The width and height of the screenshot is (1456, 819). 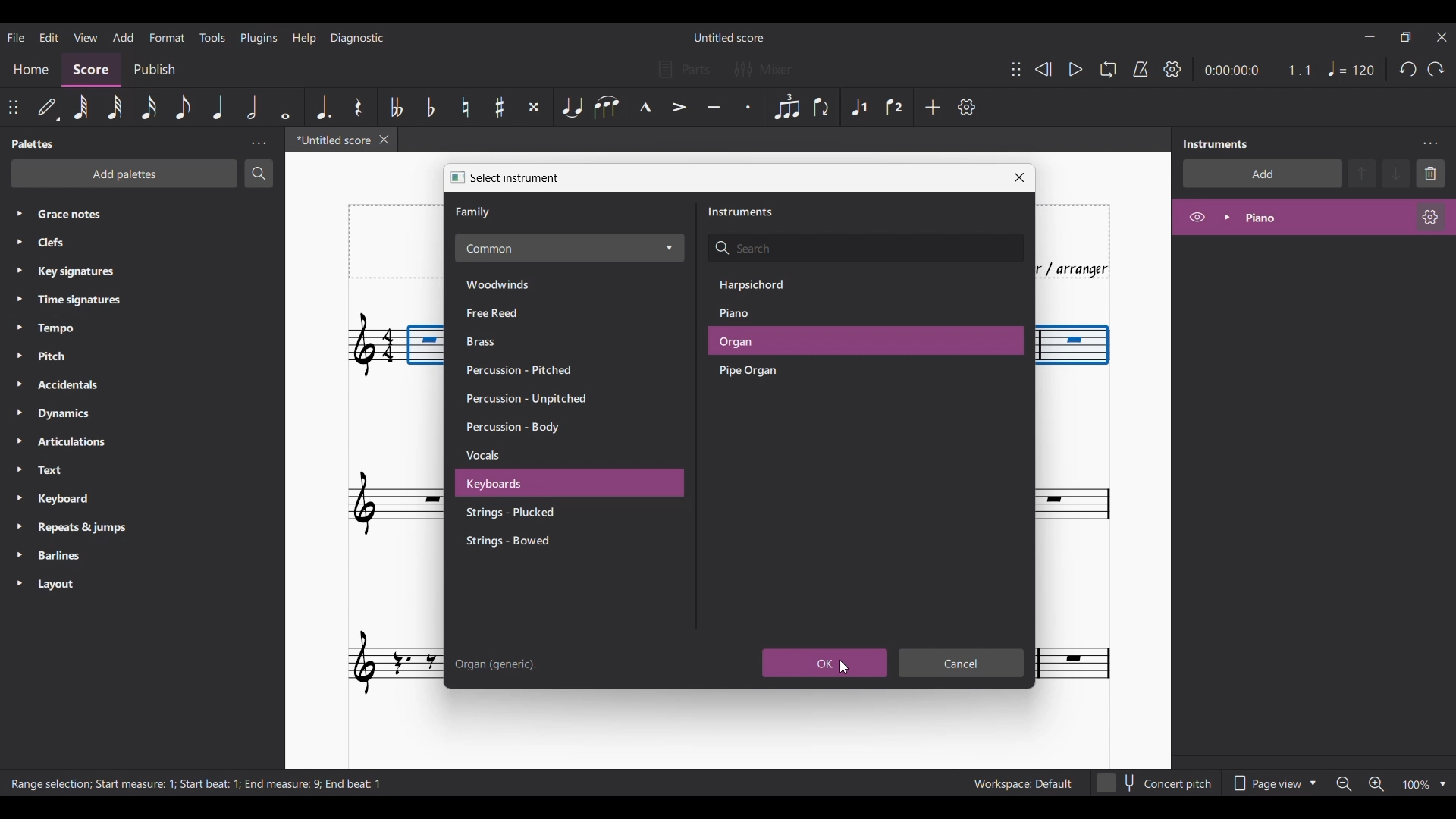 What do you see at coordinates (123, 37) in the screenshot?
I see `Add menu` at bounding box center [123, 37].